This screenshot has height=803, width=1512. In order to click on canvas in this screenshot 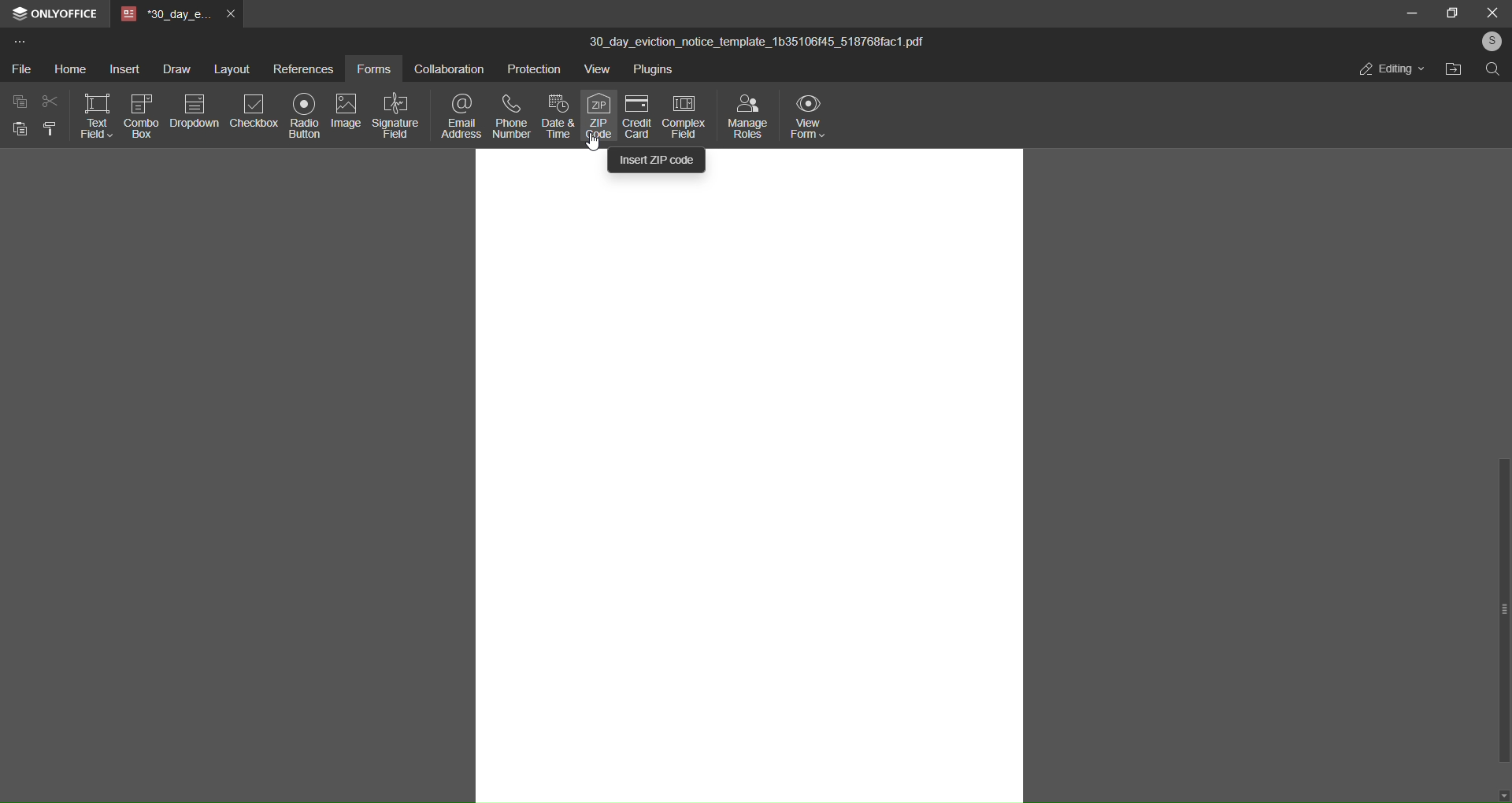, I will do `click(750, 489)`.